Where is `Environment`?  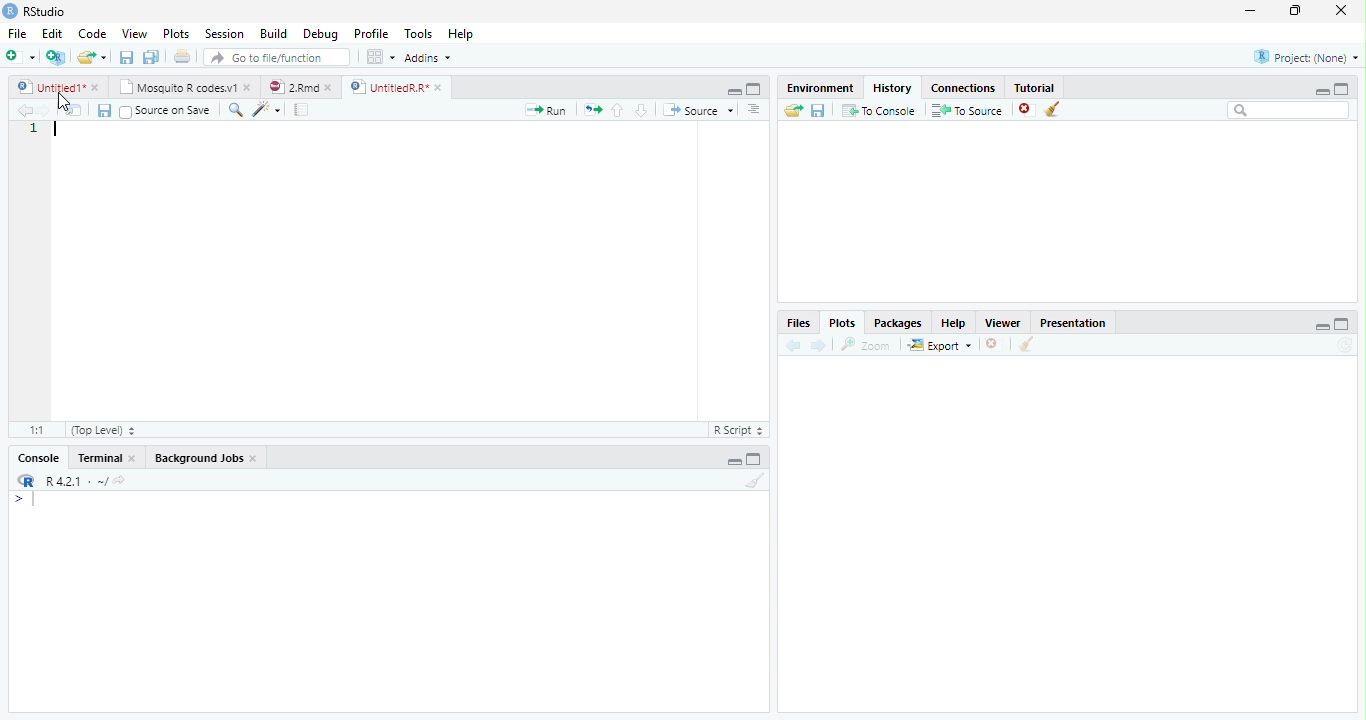
Environment is located at coordinates (821, 88).